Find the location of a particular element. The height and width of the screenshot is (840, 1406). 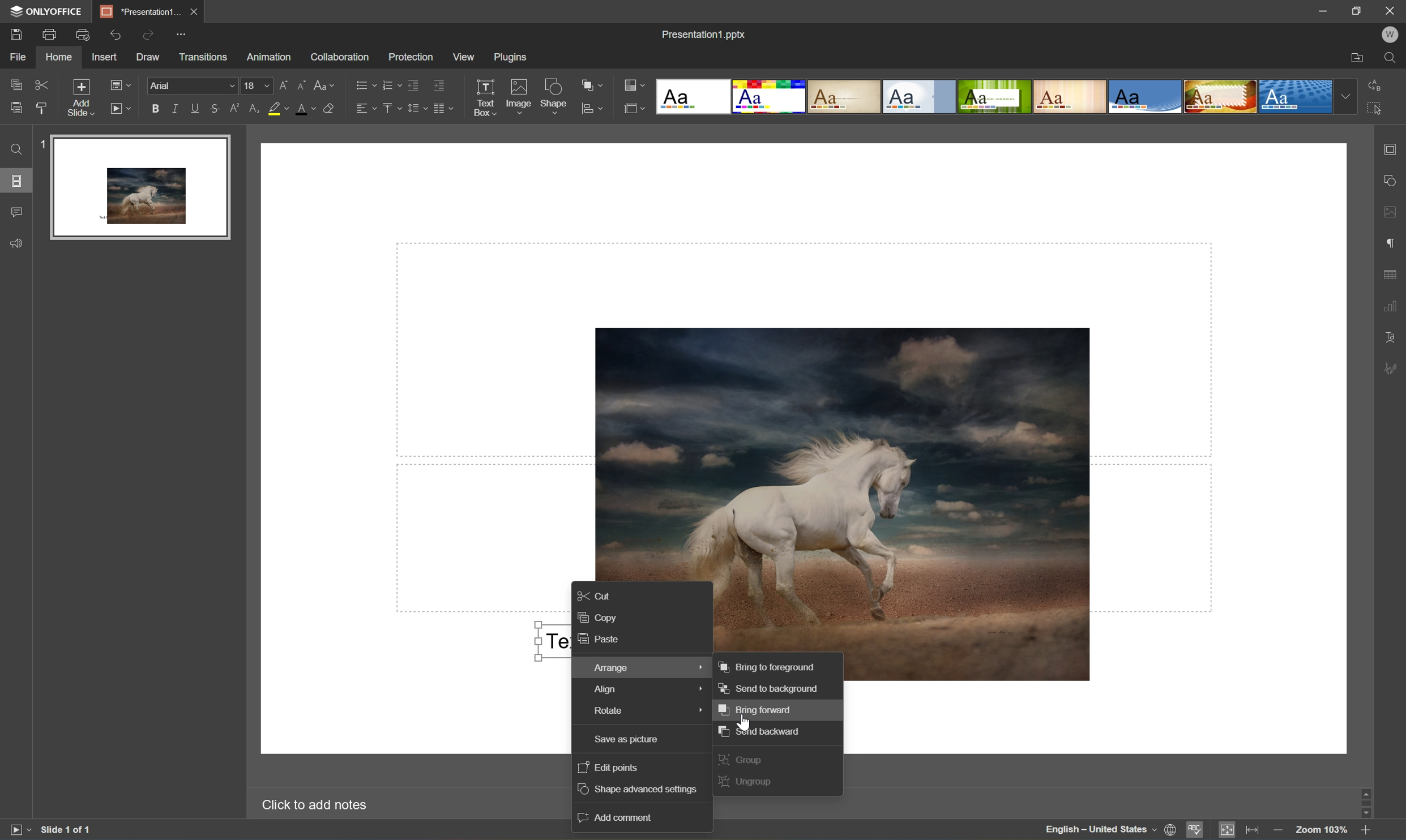

Comments is located at coordinates (17, 212).